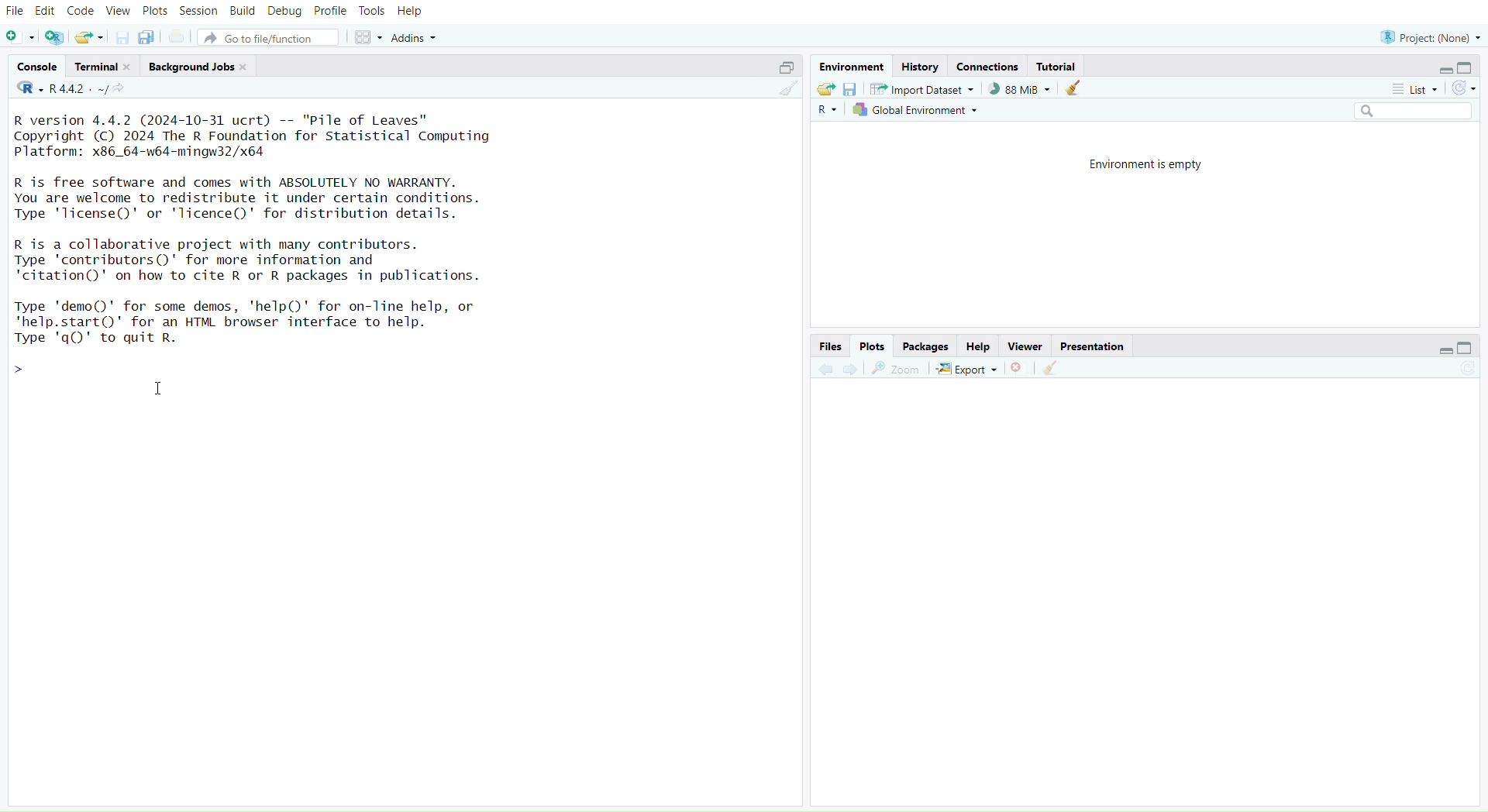  I want to click on background jobs, so click(199, 68).